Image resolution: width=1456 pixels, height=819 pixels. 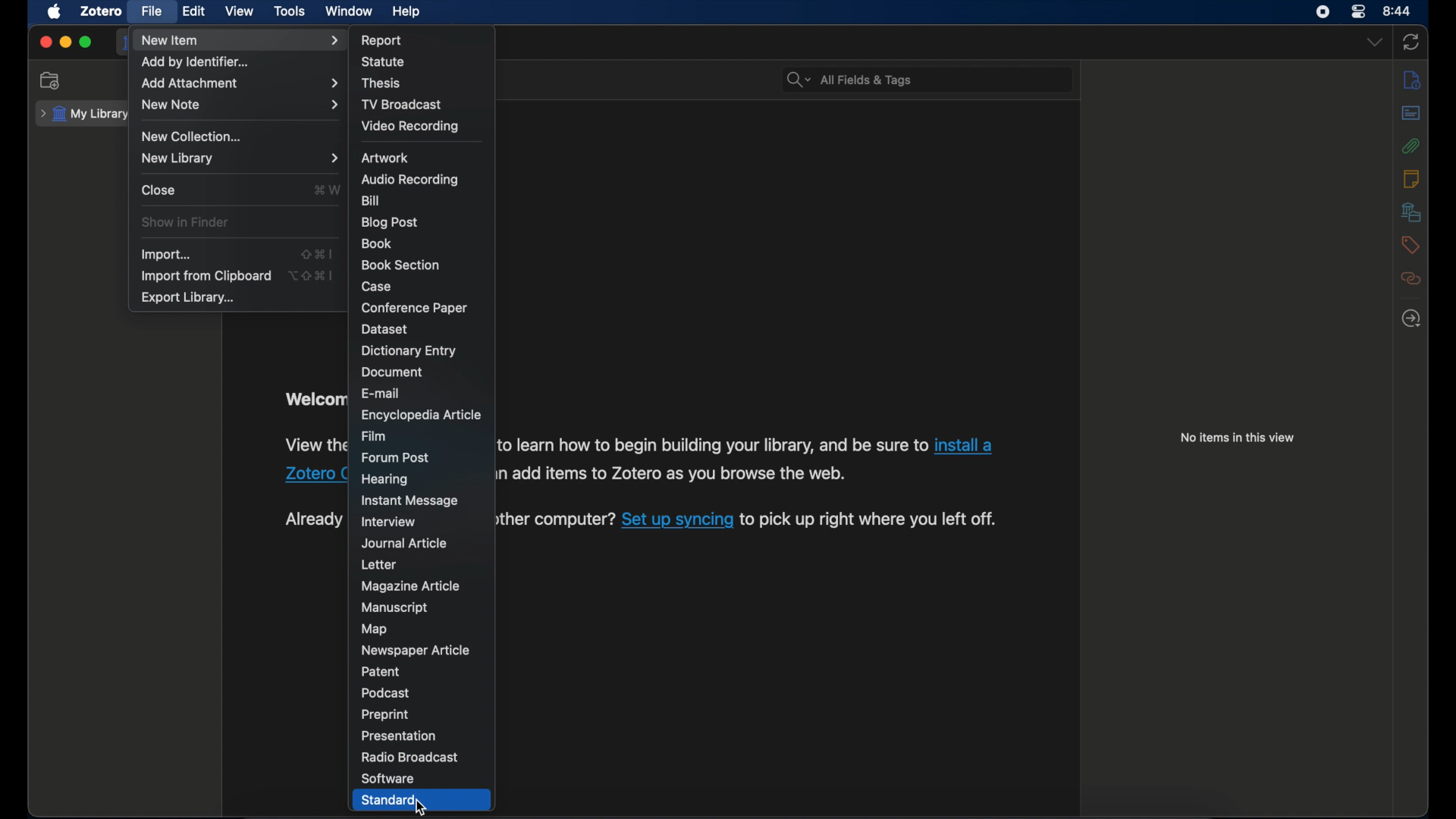 I want to click on minimize, so click(x=67, y=42).